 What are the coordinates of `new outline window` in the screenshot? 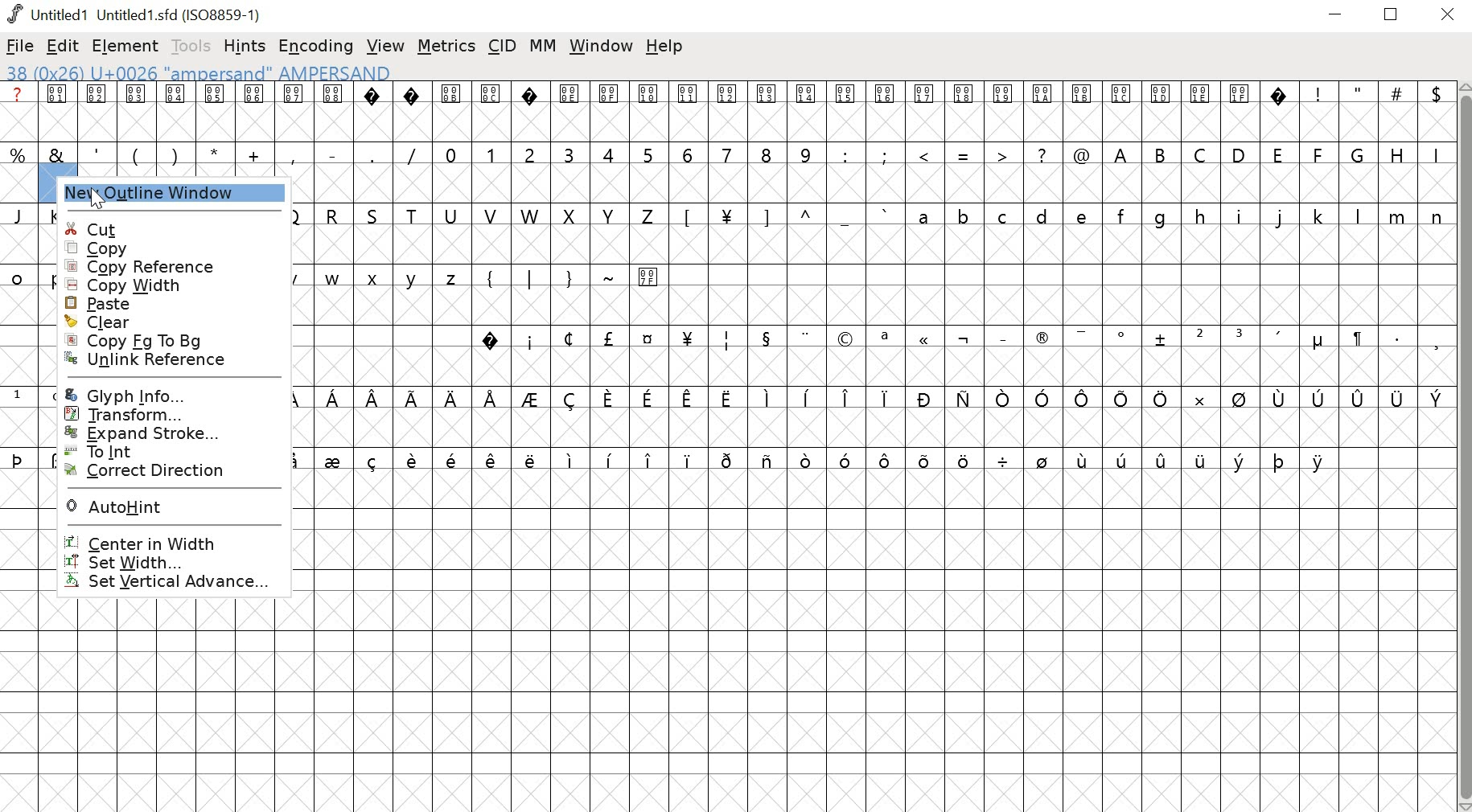 It's located at (168, 197).